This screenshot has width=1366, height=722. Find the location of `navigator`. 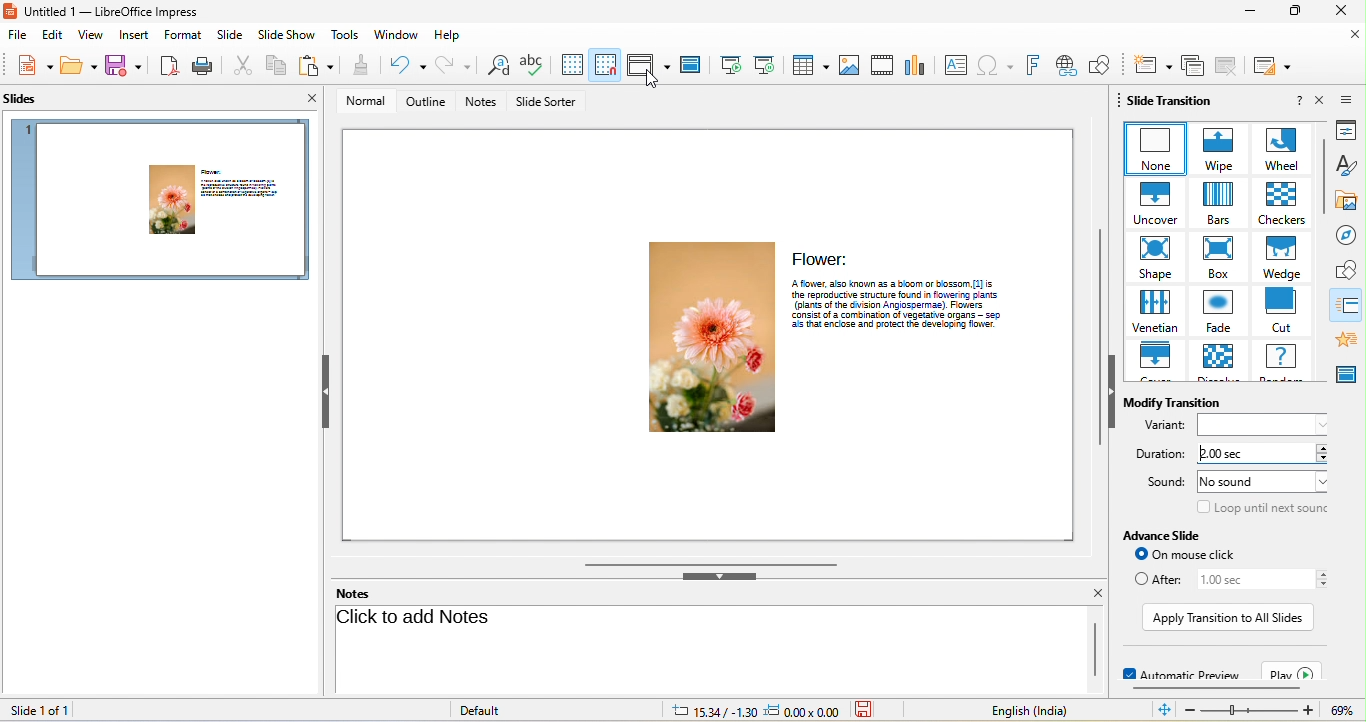

navigator is located at coordinates (1350, 235).